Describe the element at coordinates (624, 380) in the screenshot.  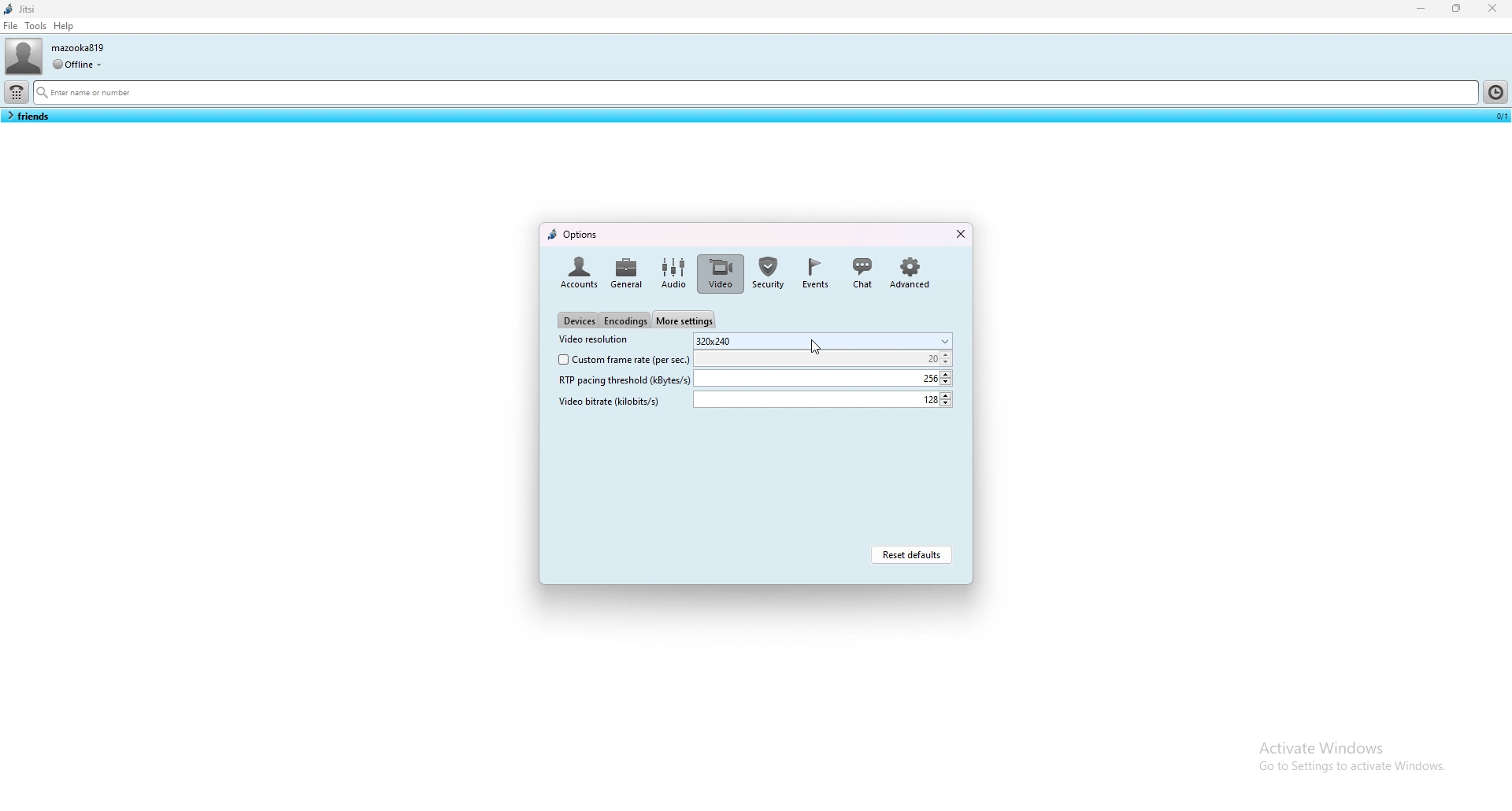
I see `rtp pacing threshold` at that location.